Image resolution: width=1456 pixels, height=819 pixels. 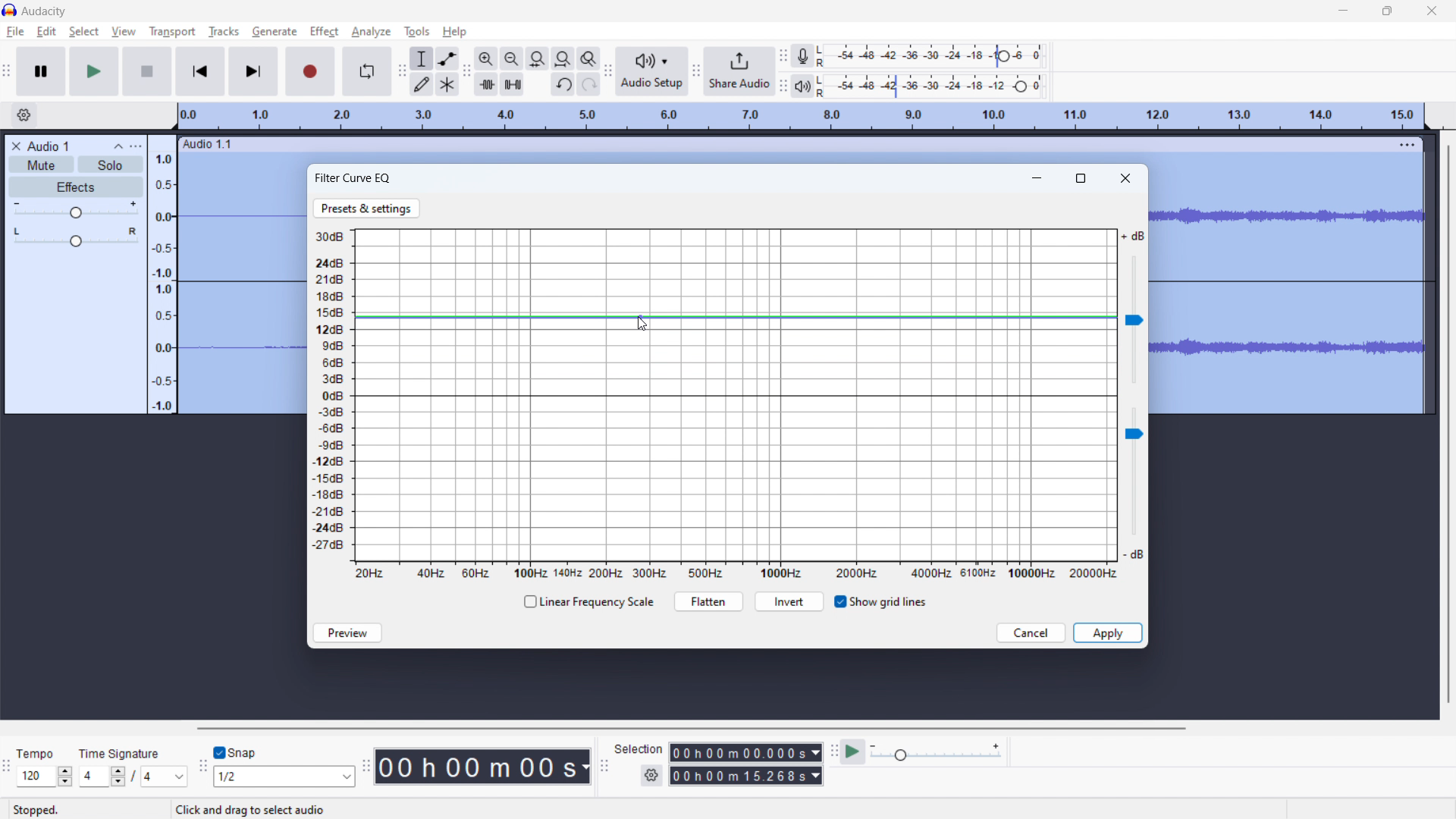 I want to click on file, so click(x=16, y=32).